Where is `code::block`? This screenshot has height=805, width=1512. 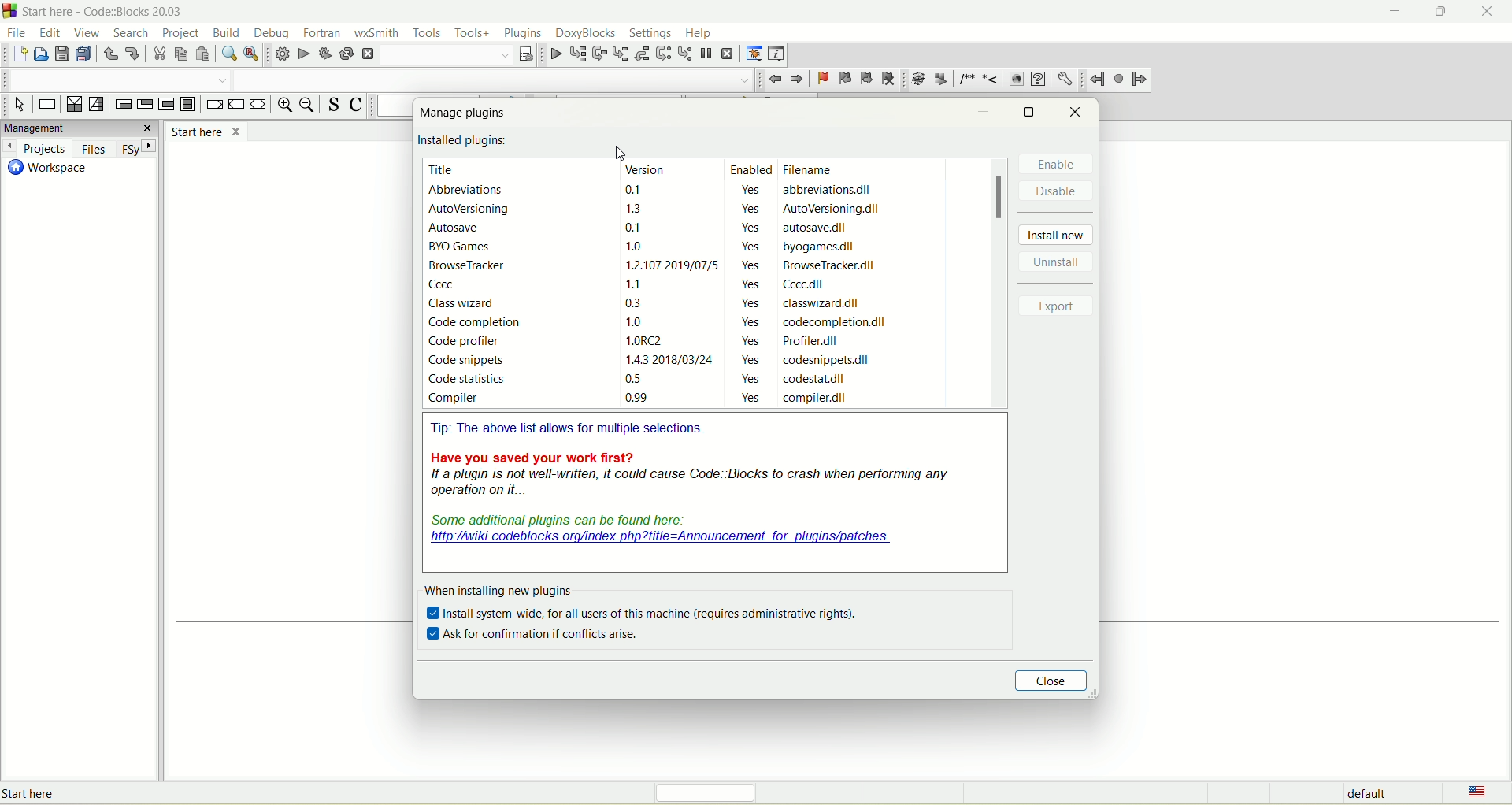 code::block is located at coordinates (106, 11).